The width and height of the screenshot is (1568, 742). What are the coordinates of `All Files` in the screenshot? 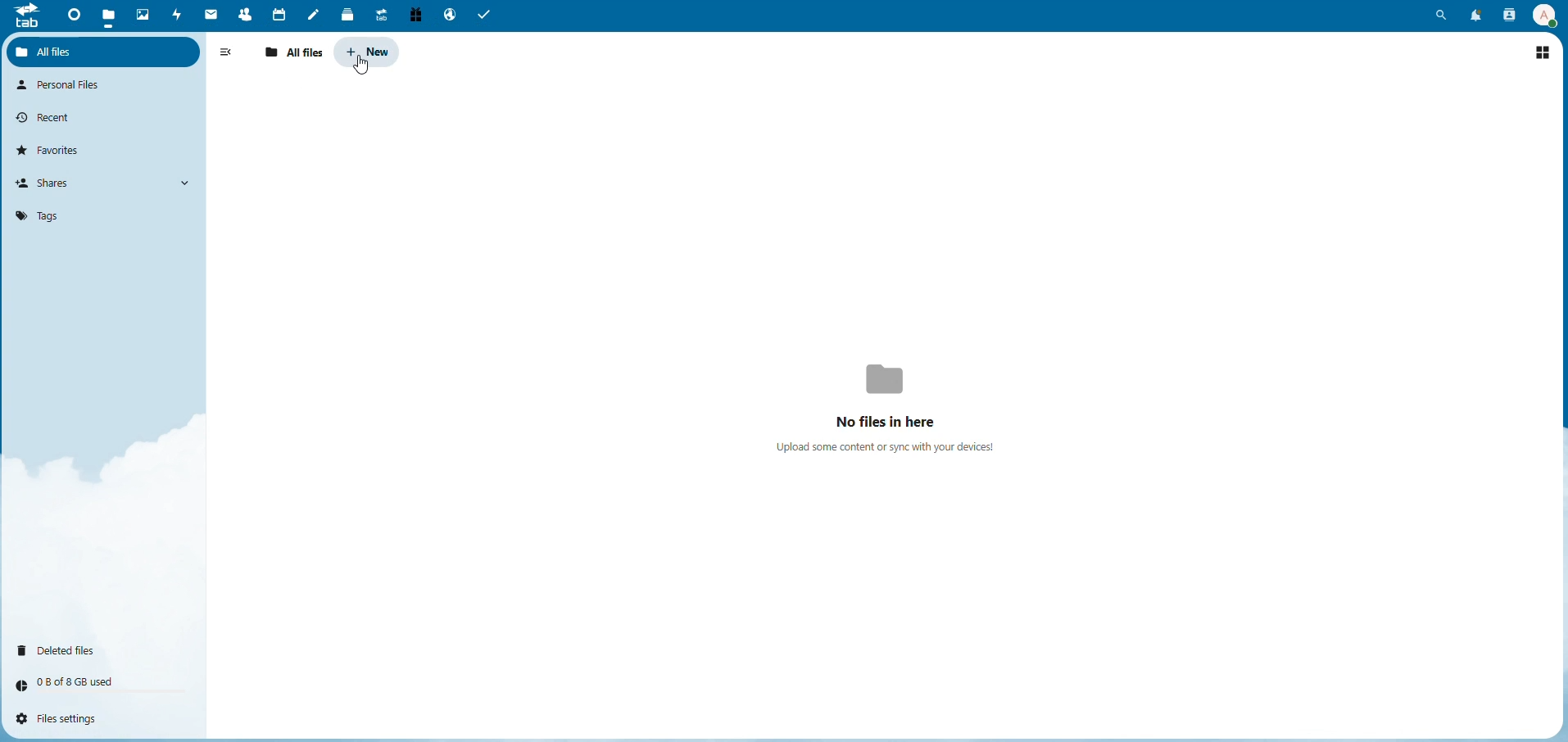 It's located at (63, 51).